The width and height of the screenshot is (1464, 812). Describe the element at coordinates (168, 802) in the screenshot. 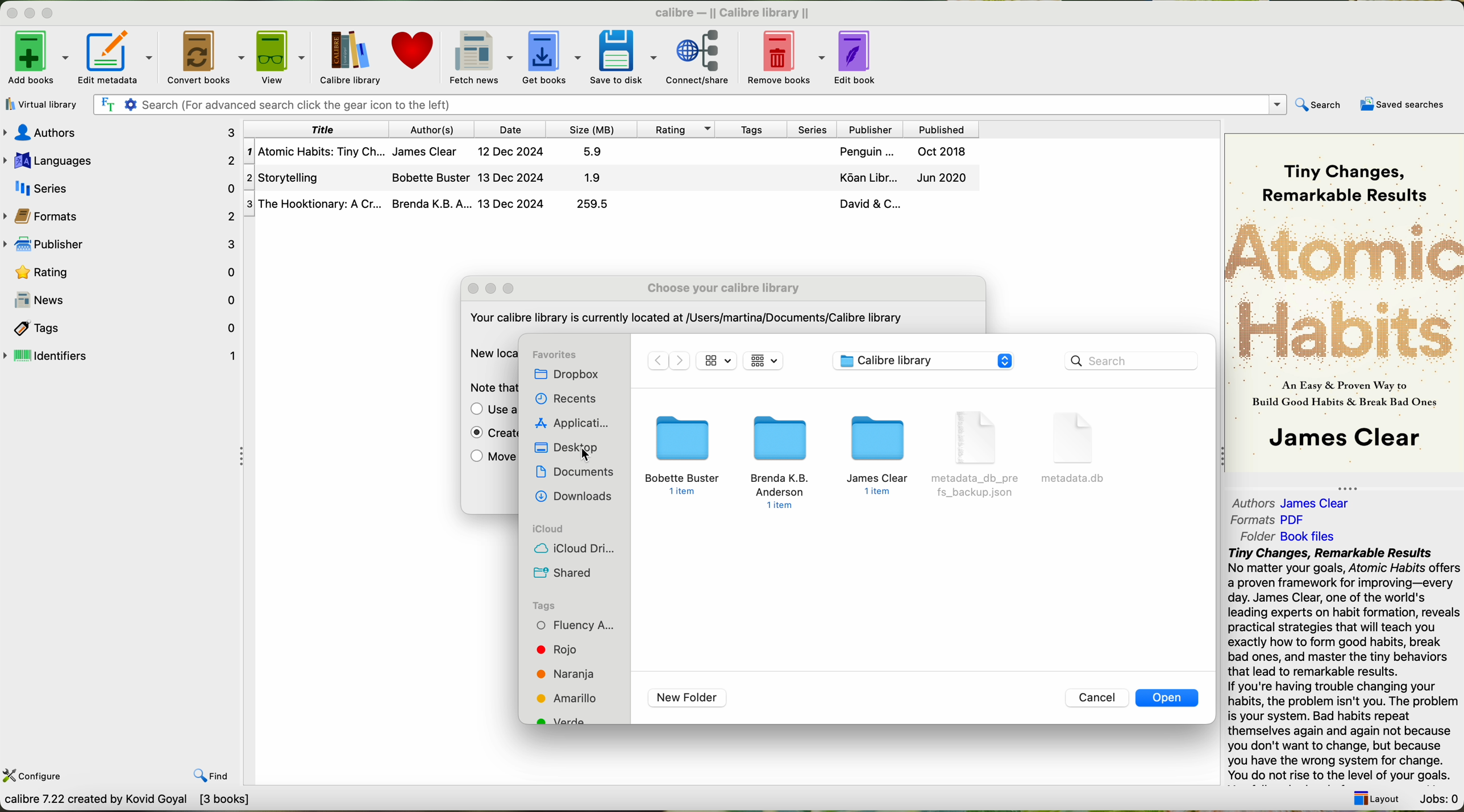

I see `Choose calbre library to work with Calbre Library [3book}` at that location.